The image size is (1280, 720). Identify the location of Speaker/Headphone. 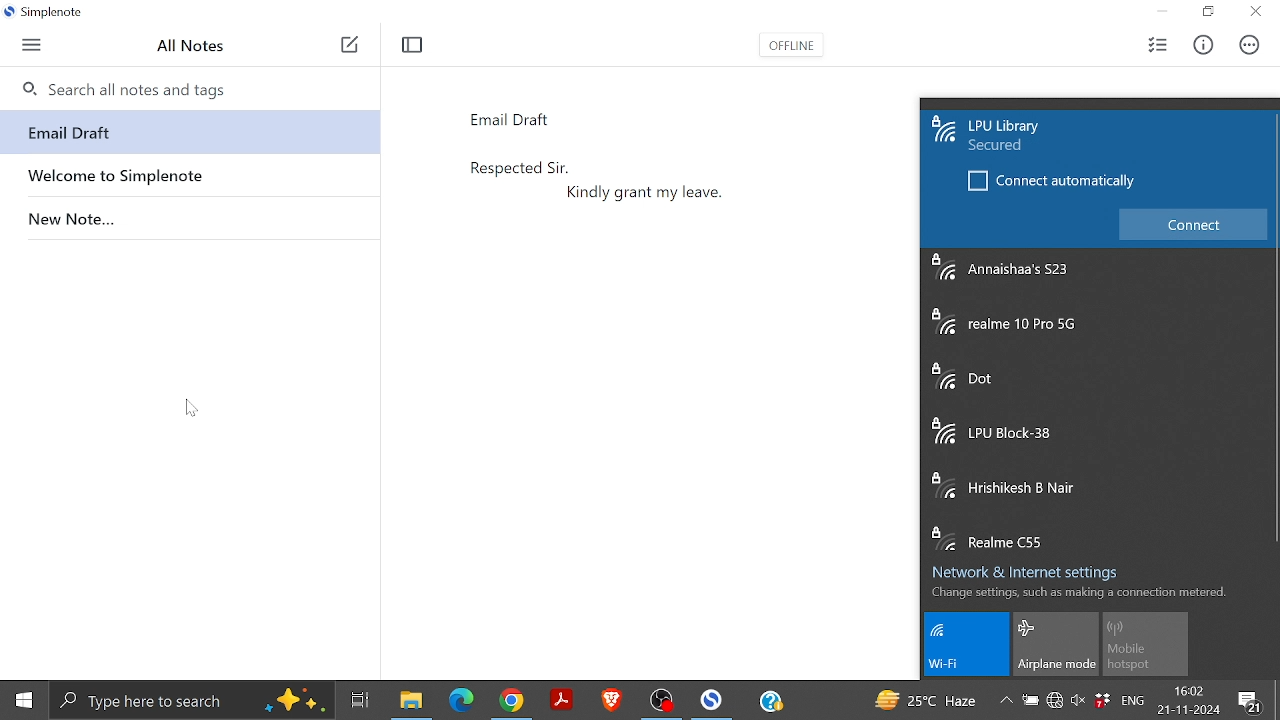
(1077, 704).